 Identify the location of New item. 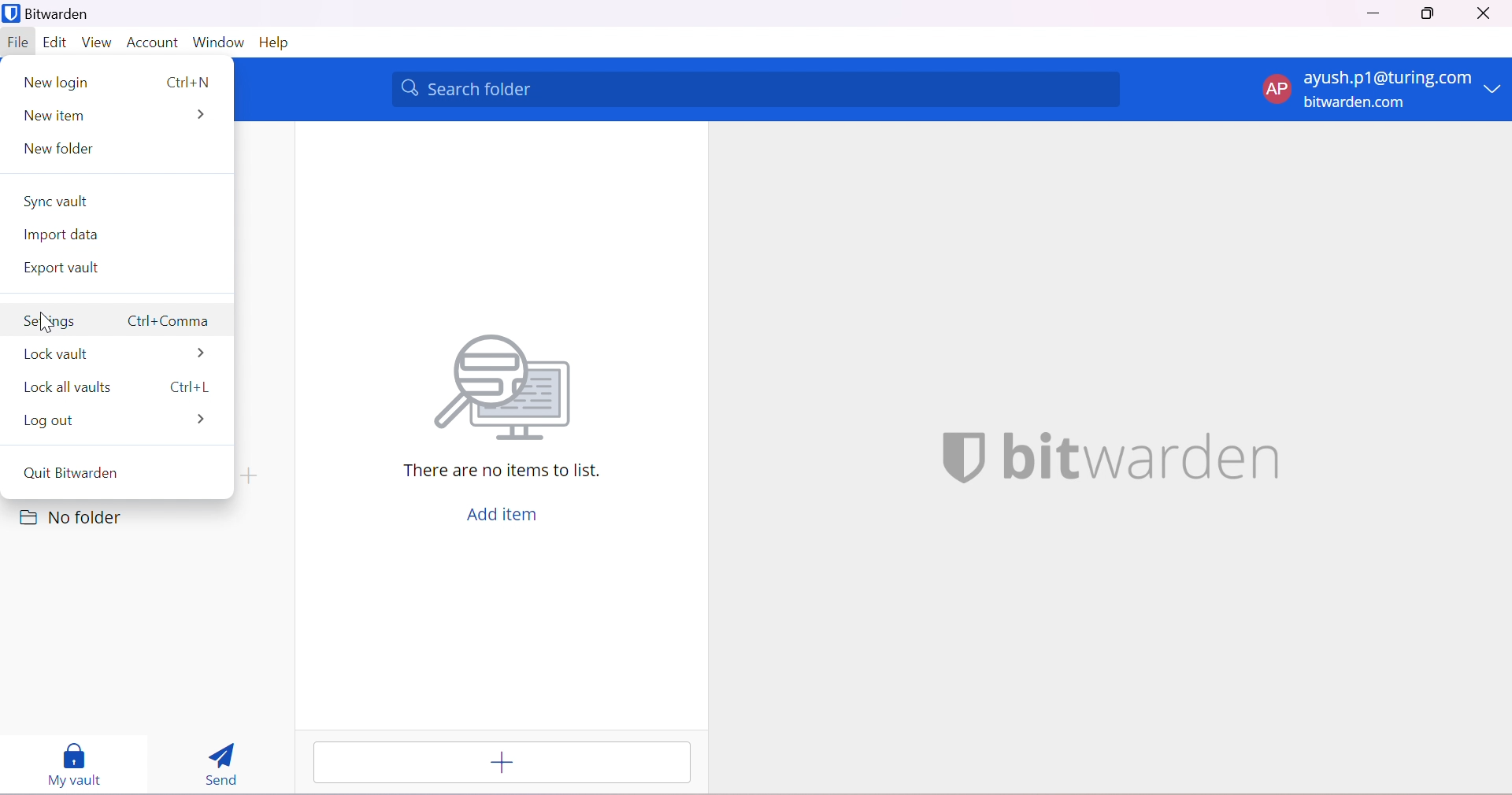
(53, 117).